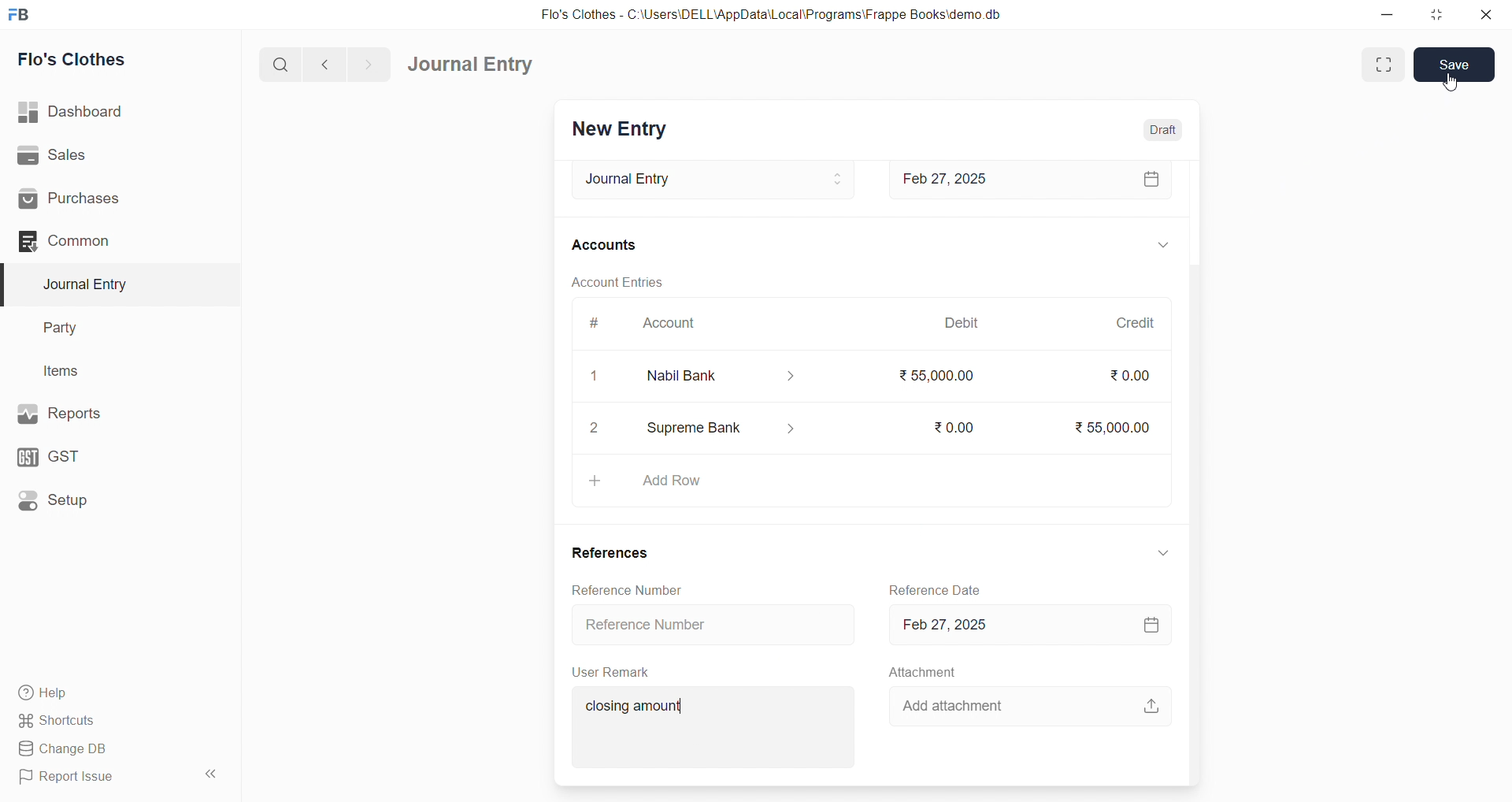 Image resolution: width=1512 pixels, height=802 pixels. What do you see at coordinates (1135, 320) in the screenshot?
I see `Credit` at bounding box center [1135, 320].